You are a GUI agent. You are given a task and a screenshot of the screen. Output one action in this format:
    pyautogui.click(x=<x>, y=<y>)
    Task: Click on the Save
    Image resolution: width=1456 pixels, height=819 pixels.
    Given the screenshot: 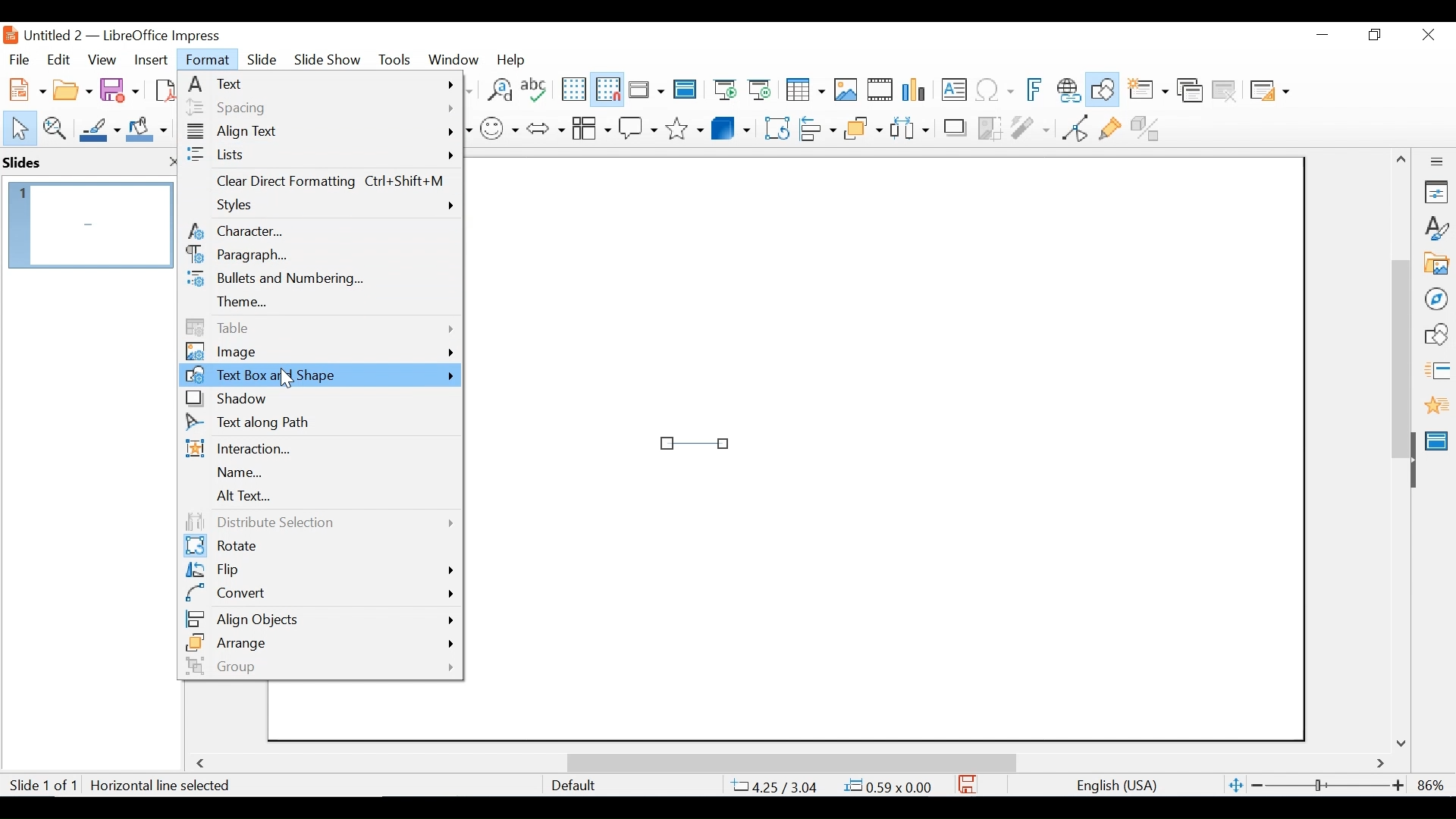 What is the action you would take?
    pyautogui.click(x=121, y=89)
    